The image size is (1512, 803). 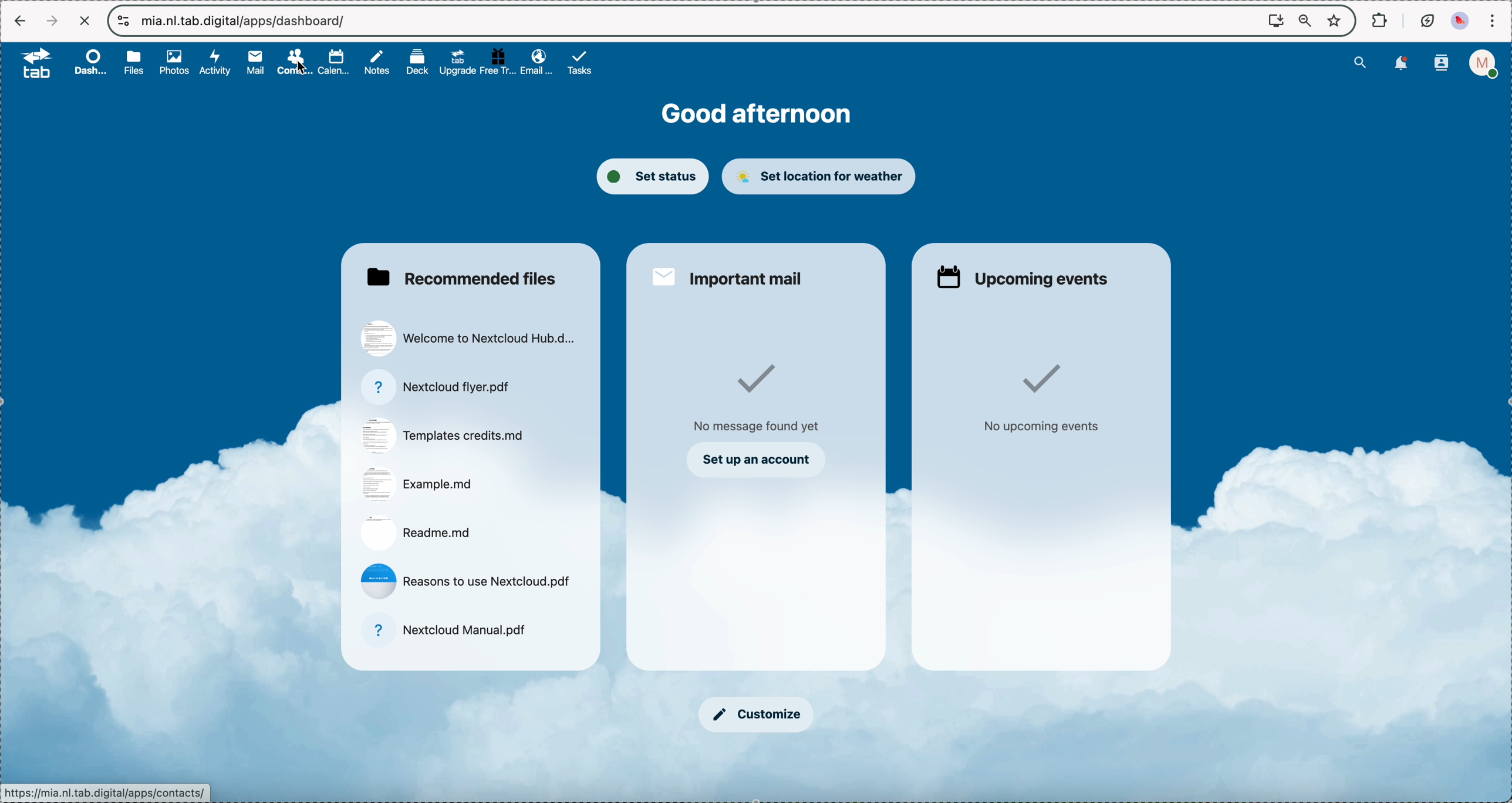 I want to click on search, so click(x=1361, y=63).